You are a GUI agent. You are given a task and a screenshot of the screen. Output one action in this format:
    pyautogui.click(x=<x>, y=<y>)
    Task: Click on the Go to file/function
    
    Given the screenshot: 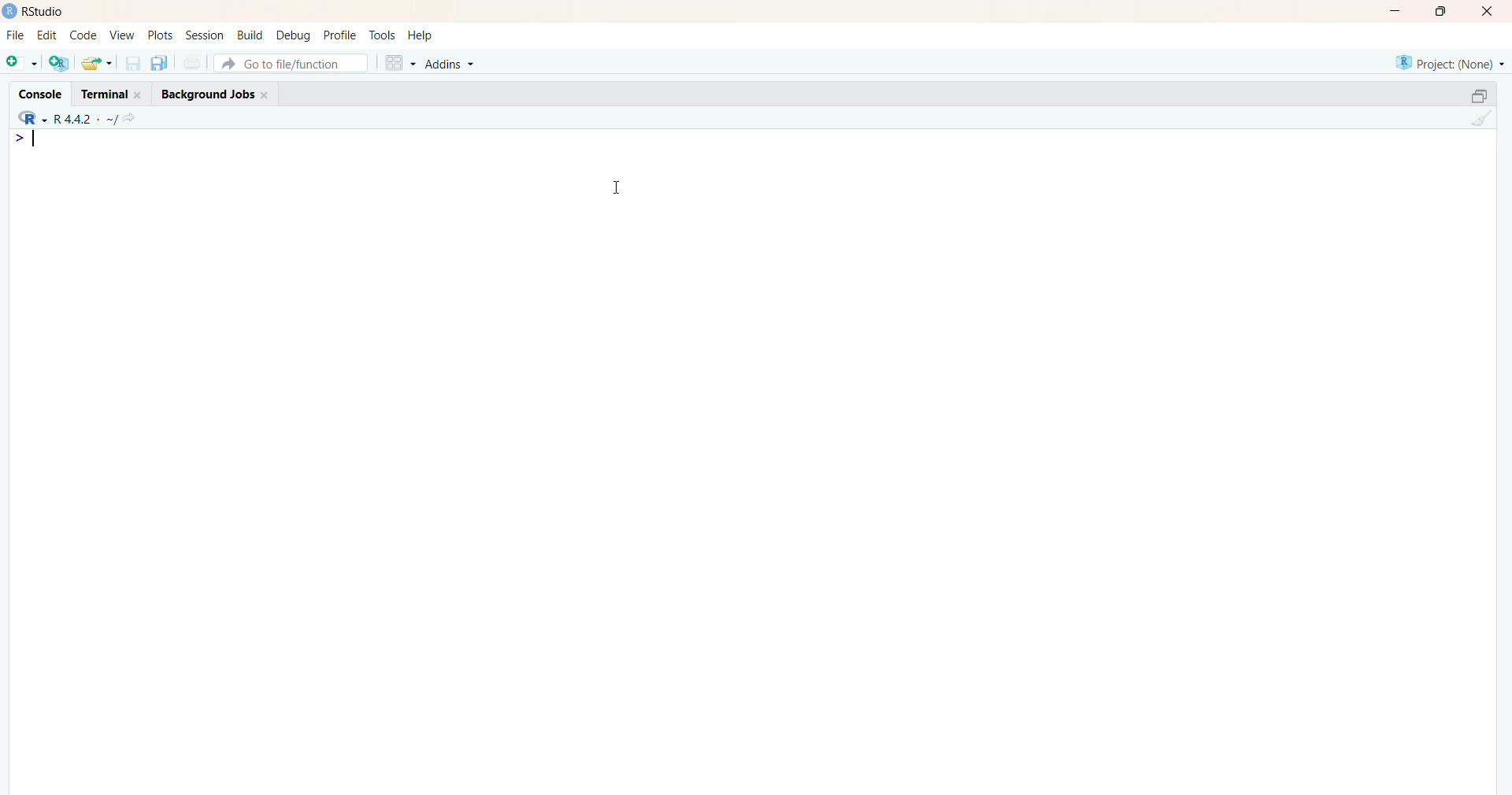 What is the action you would take?
    pyautogui.click(x=295, y=63)
    